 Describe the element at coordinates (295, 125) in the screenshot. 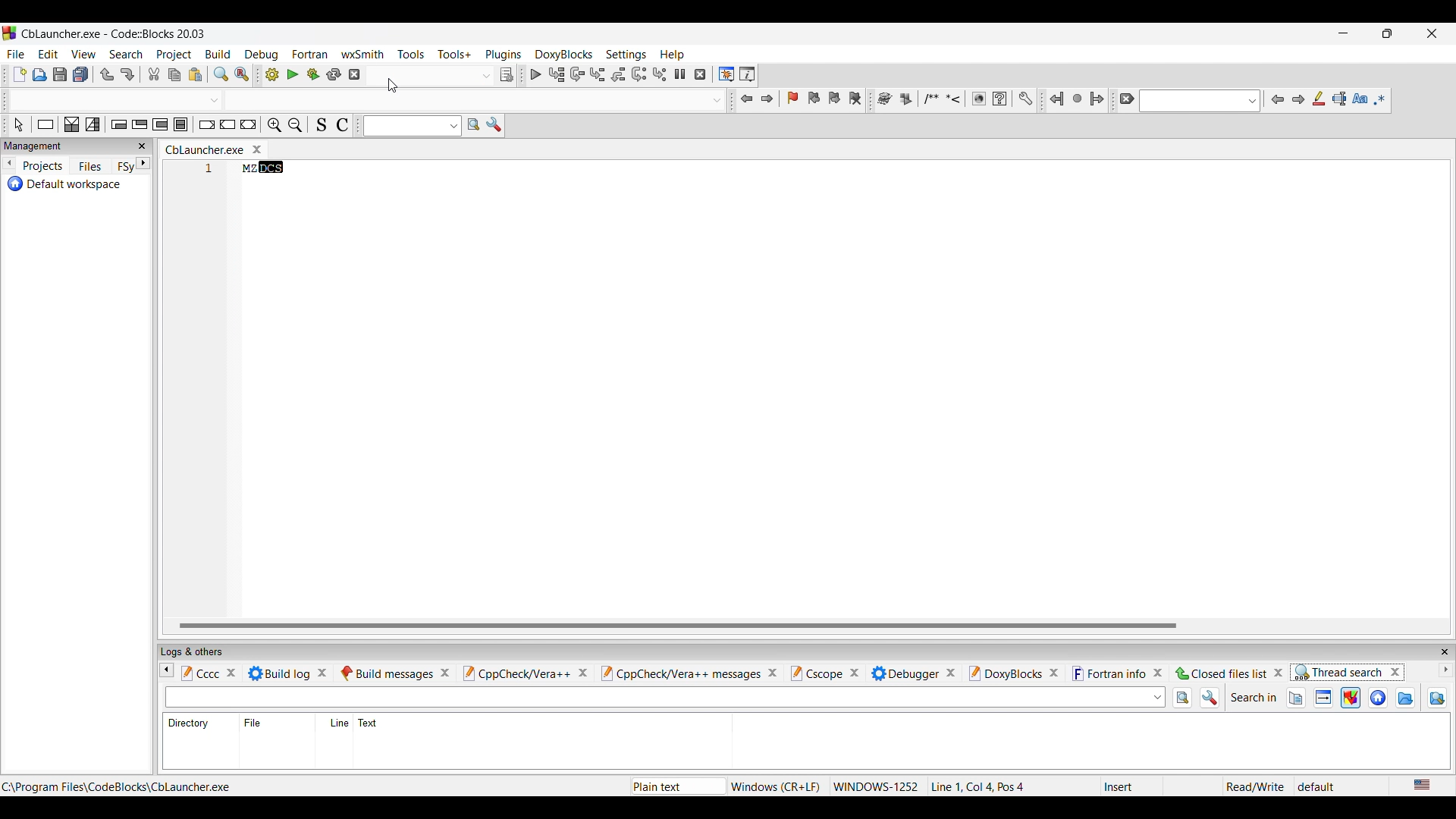

I see `Zoom out` at that location.